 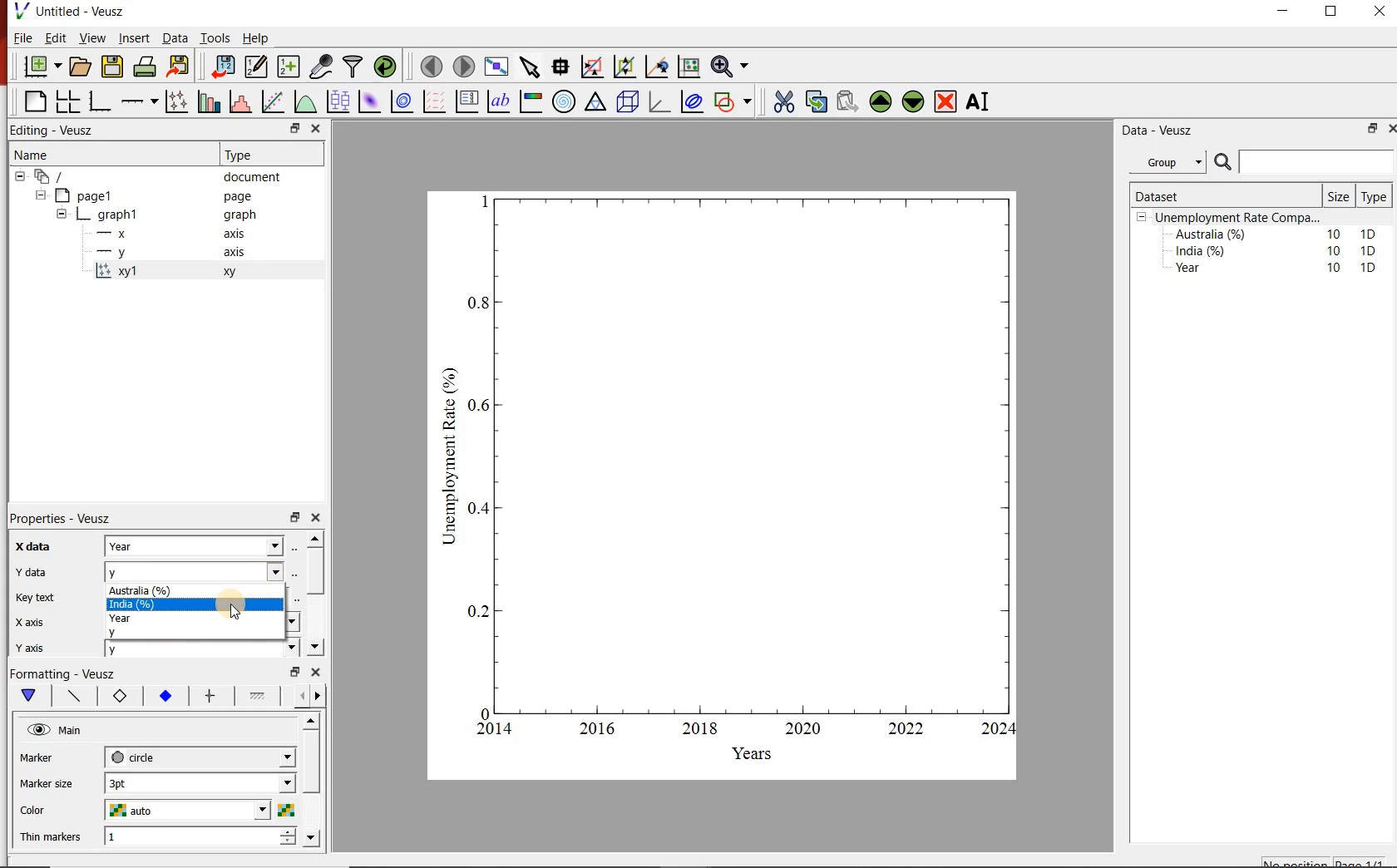 I want to click on paste the widgets, so click(x=848, y=101).